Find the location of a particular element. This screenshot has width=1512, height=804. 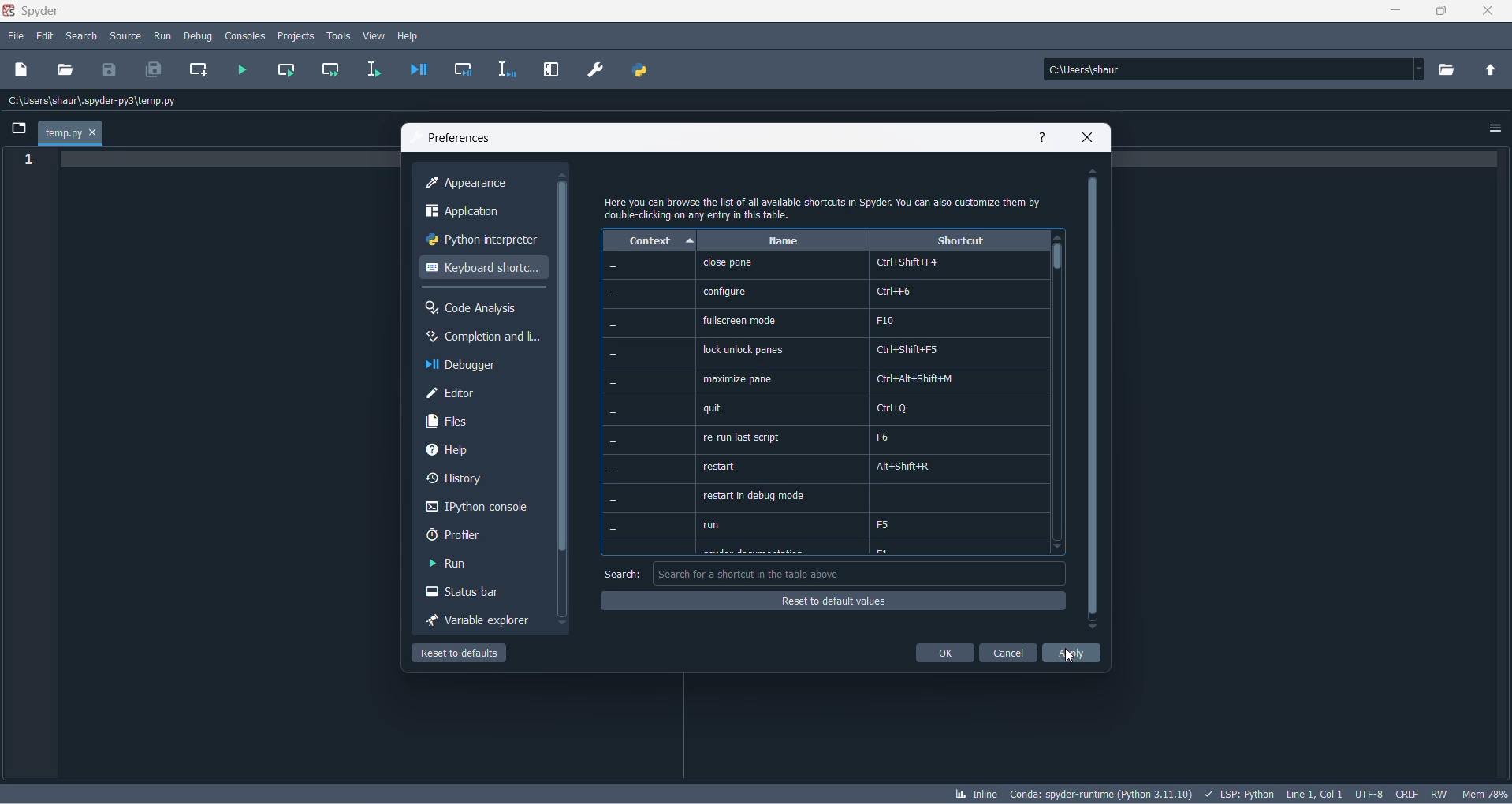

script is located at coordinates (1239, 792).